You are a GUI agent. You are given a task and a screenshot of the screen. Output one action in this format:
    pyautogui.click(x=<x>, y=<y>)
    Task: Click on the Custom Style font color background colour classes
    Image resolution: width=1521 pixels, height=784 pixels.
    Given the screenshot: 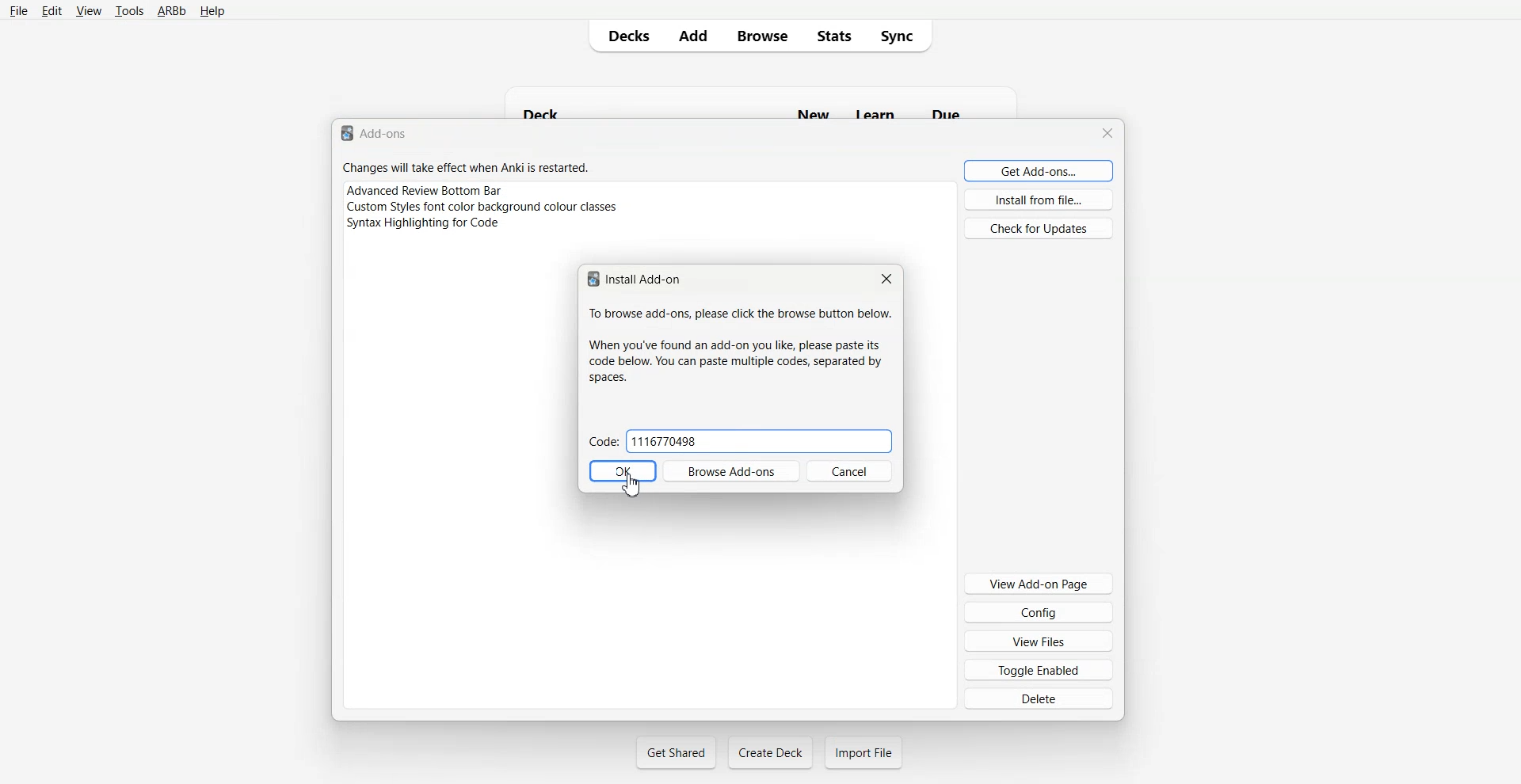 What is the action you would take?
    pyautogui.click(x=650, y=207)
    